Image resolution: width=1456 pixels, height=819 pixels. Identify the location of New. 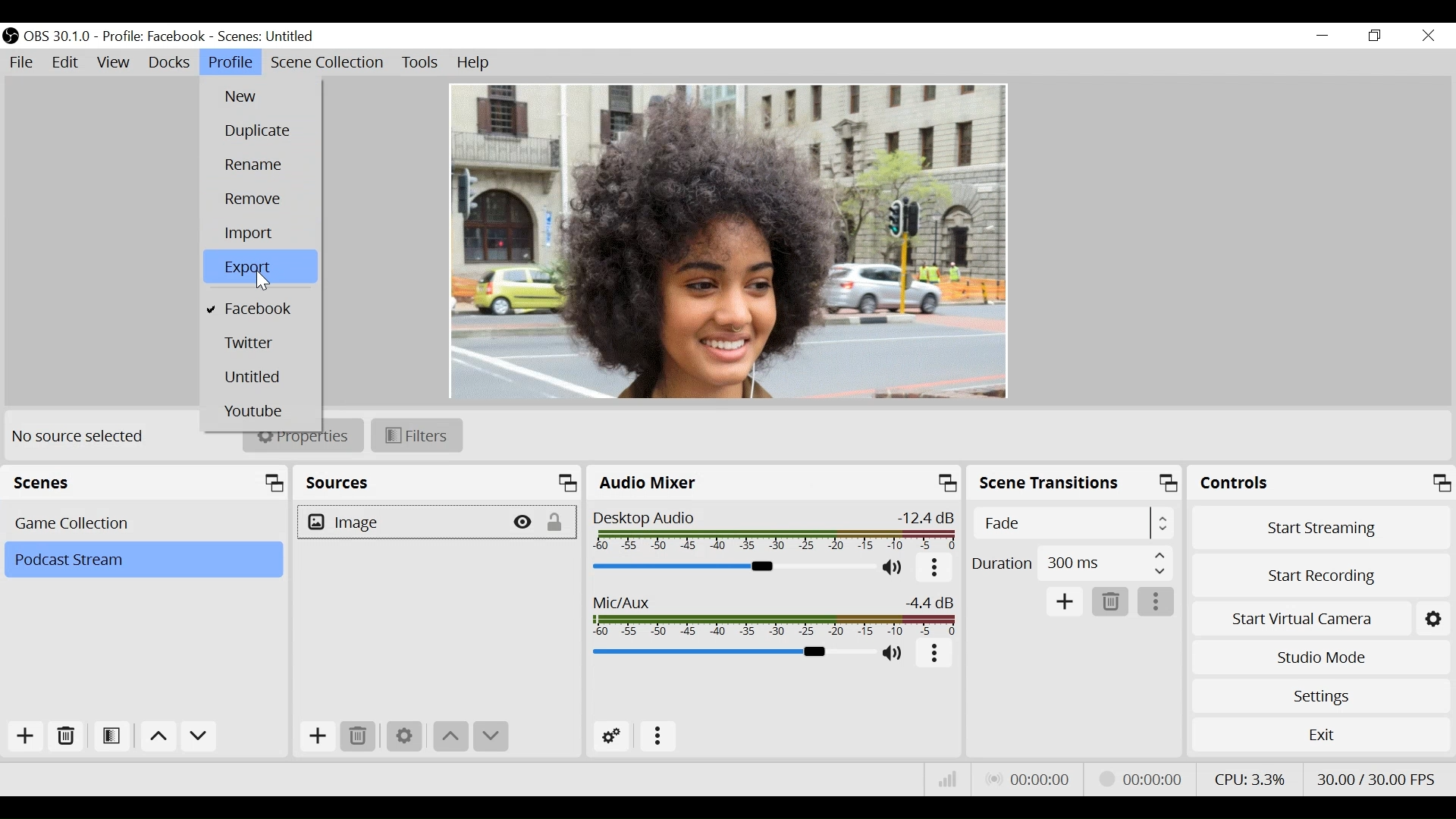
(256, 99).